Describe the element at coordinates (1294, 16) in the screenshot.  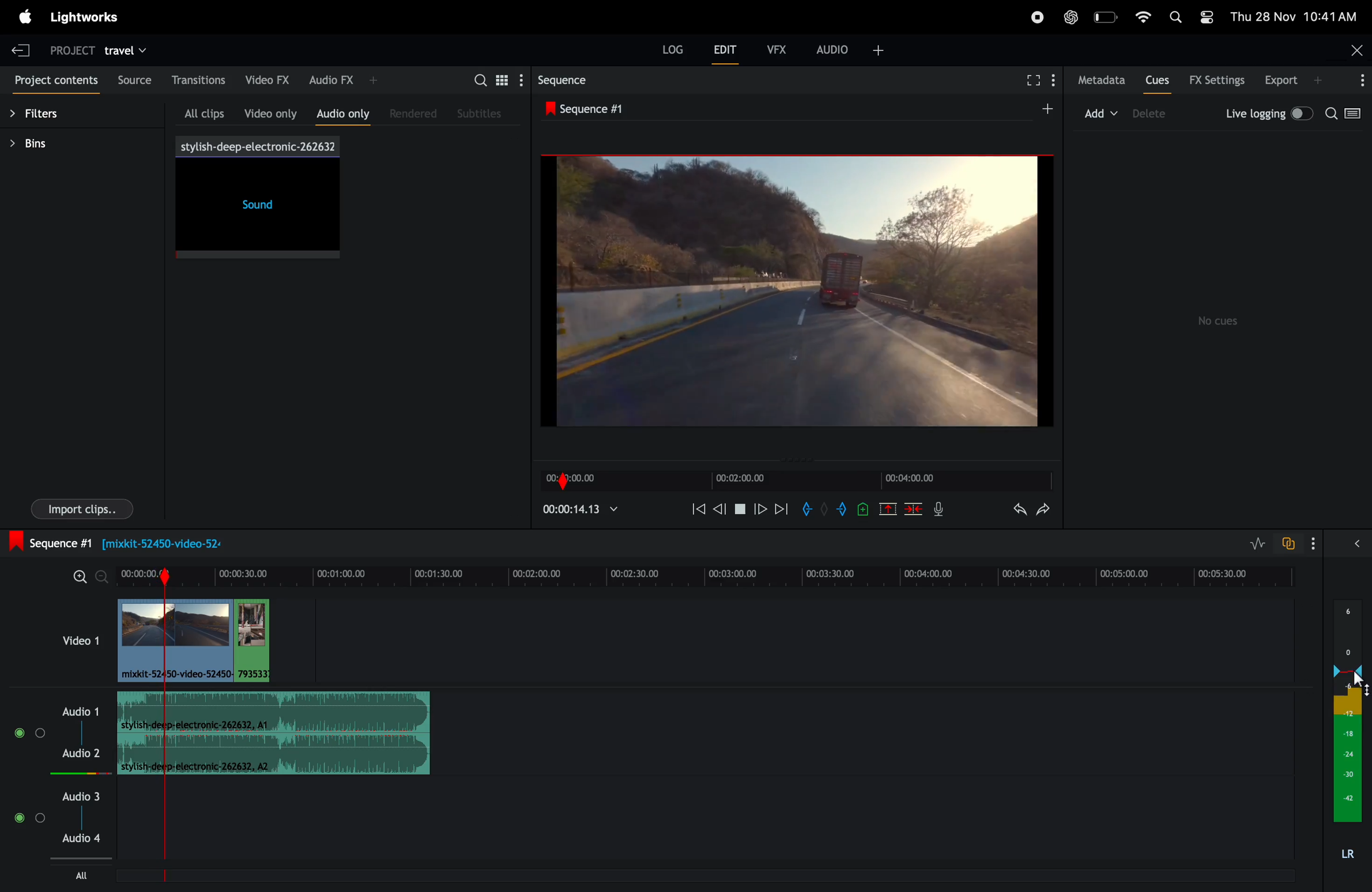
I see `date and time` at that location.